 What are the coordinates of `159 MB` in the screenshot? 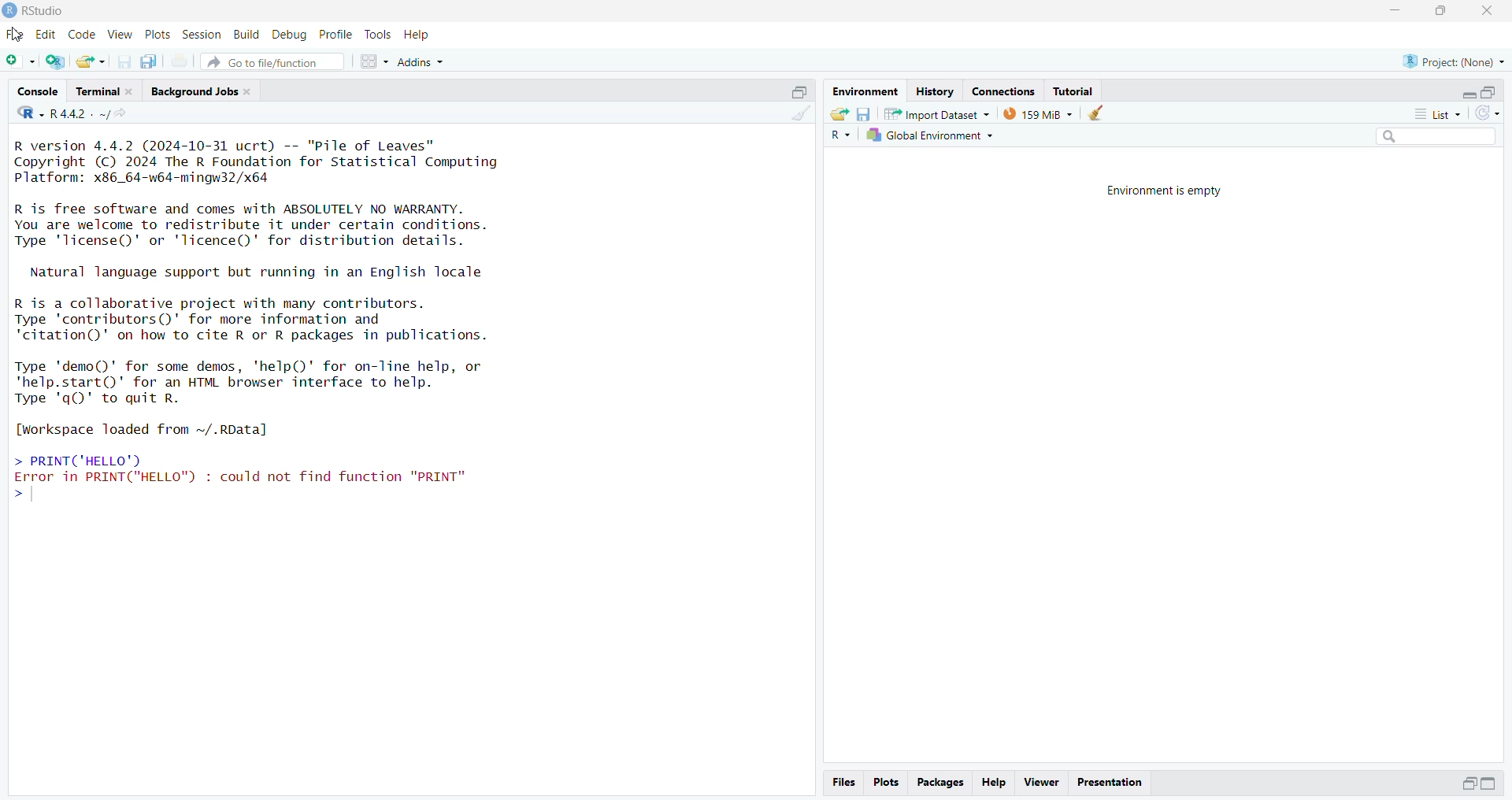 It's located at (1037, 113).